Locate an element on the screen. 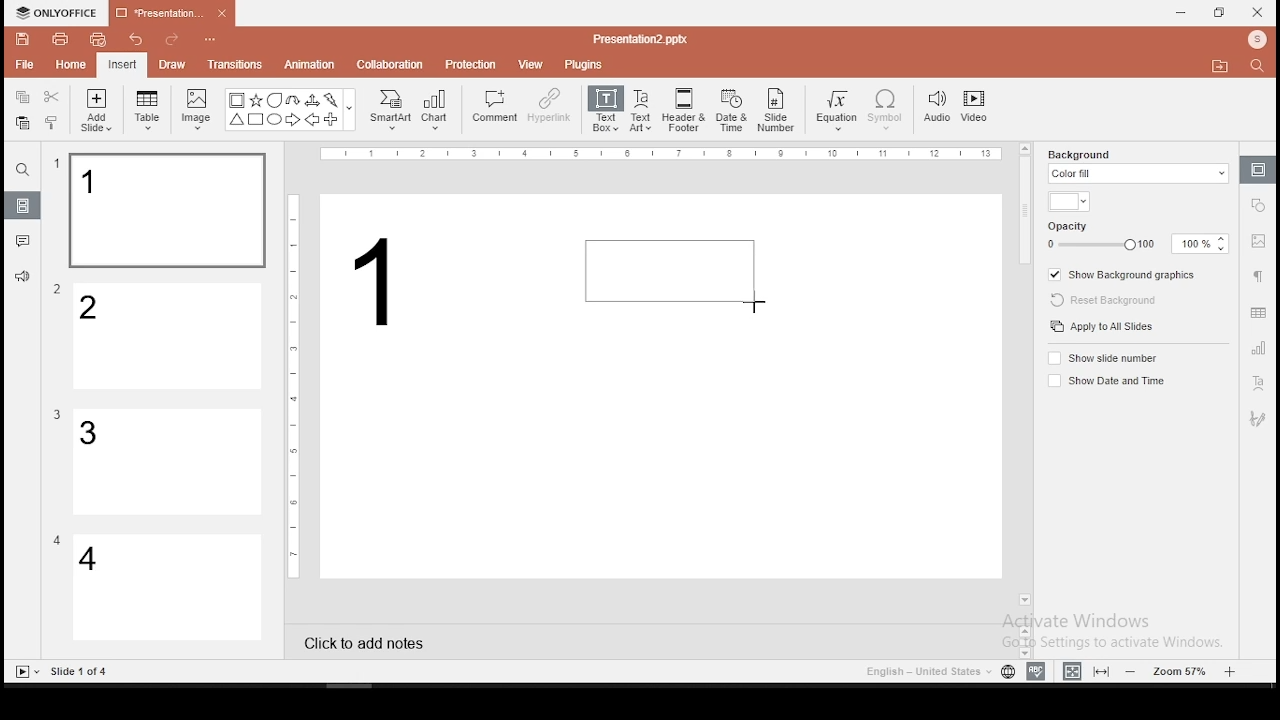   is located at coordinates (57, 164).